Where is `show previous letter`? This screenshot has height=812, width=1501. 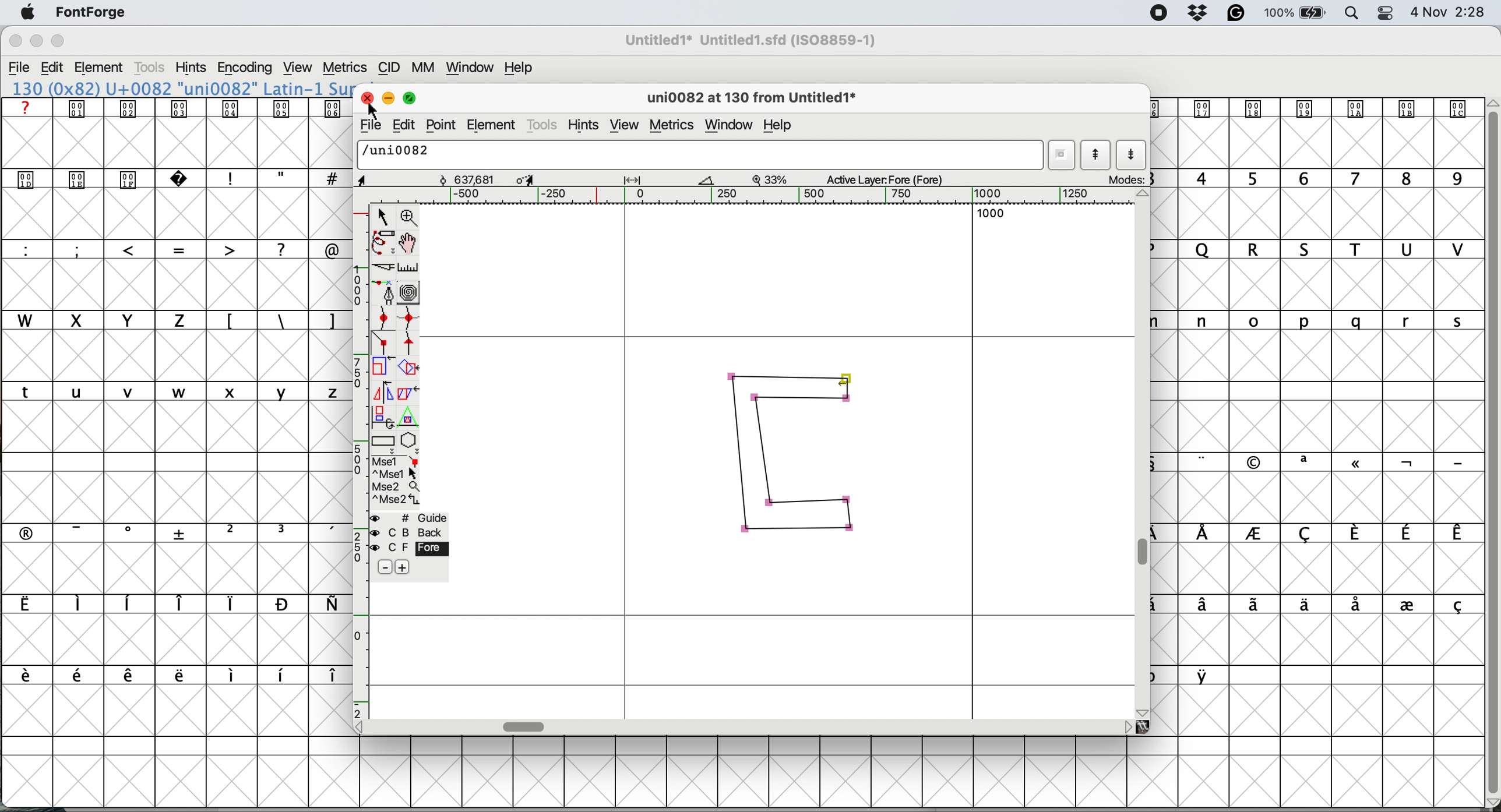
show previous letter is located at coordinates (1098, 154).